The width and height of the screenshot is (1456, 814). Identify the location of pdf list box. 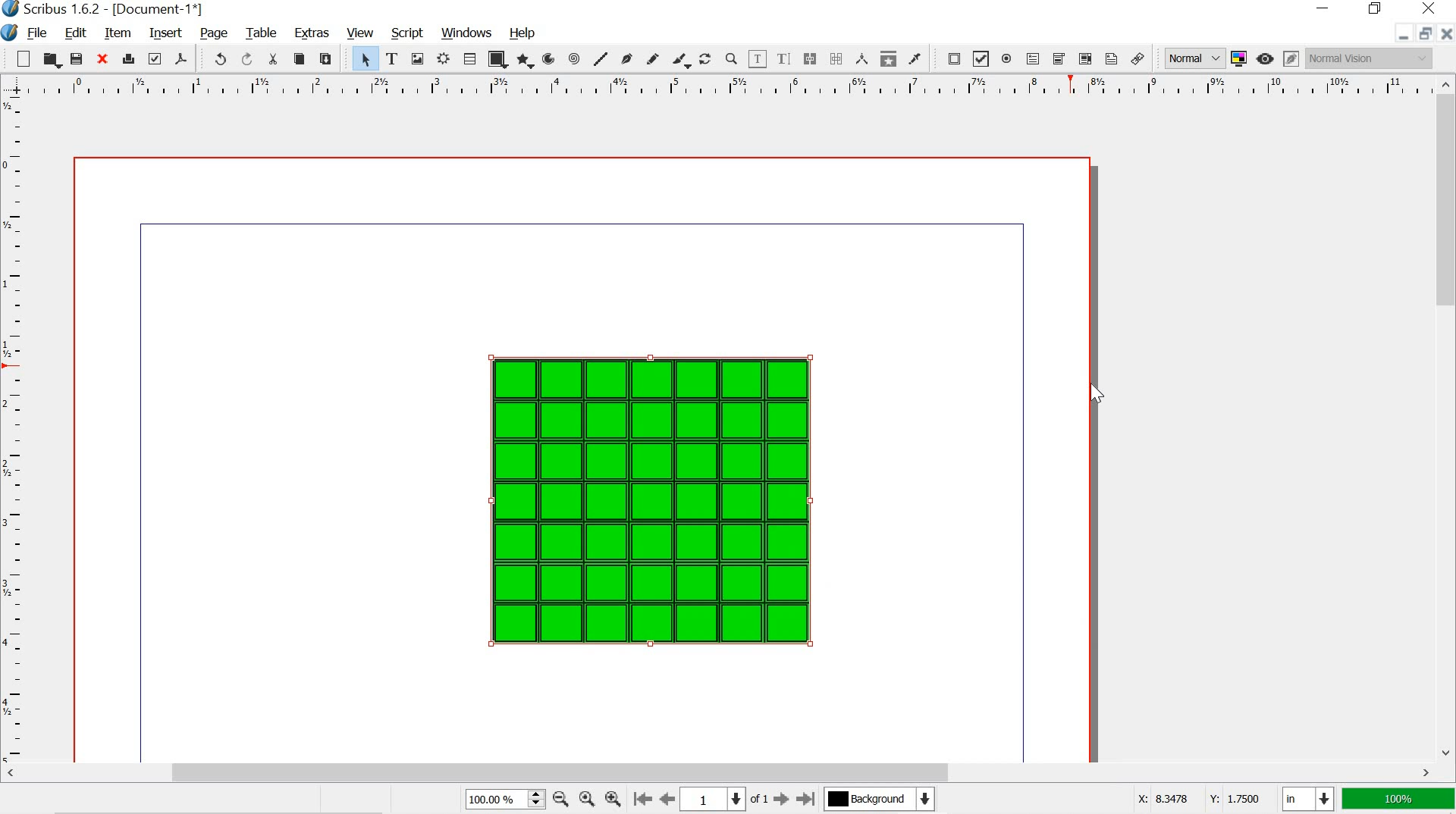
(1084, 58).